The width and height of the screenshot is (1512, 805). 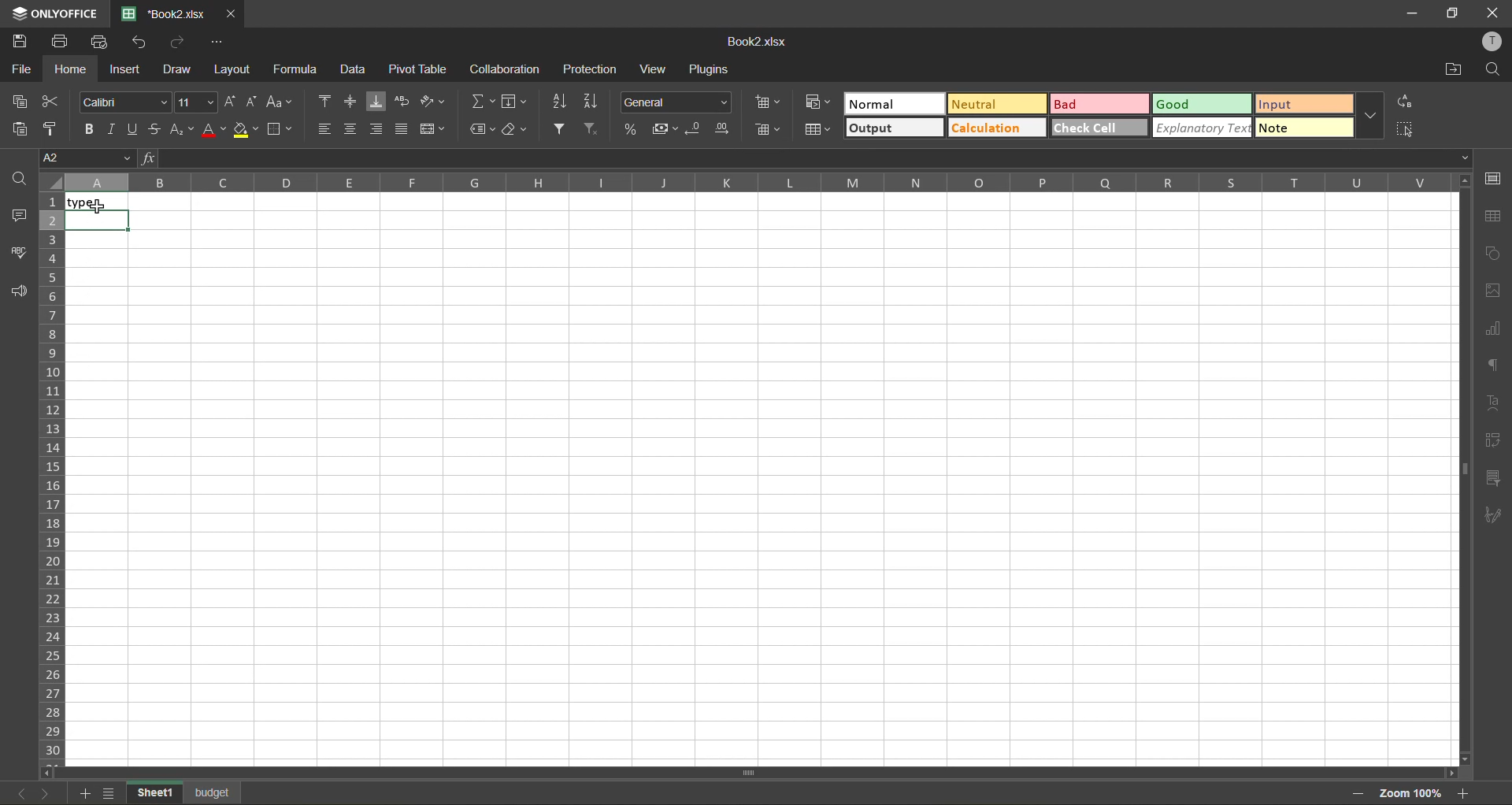 I want to click on copy, so click(x=20, y=102).